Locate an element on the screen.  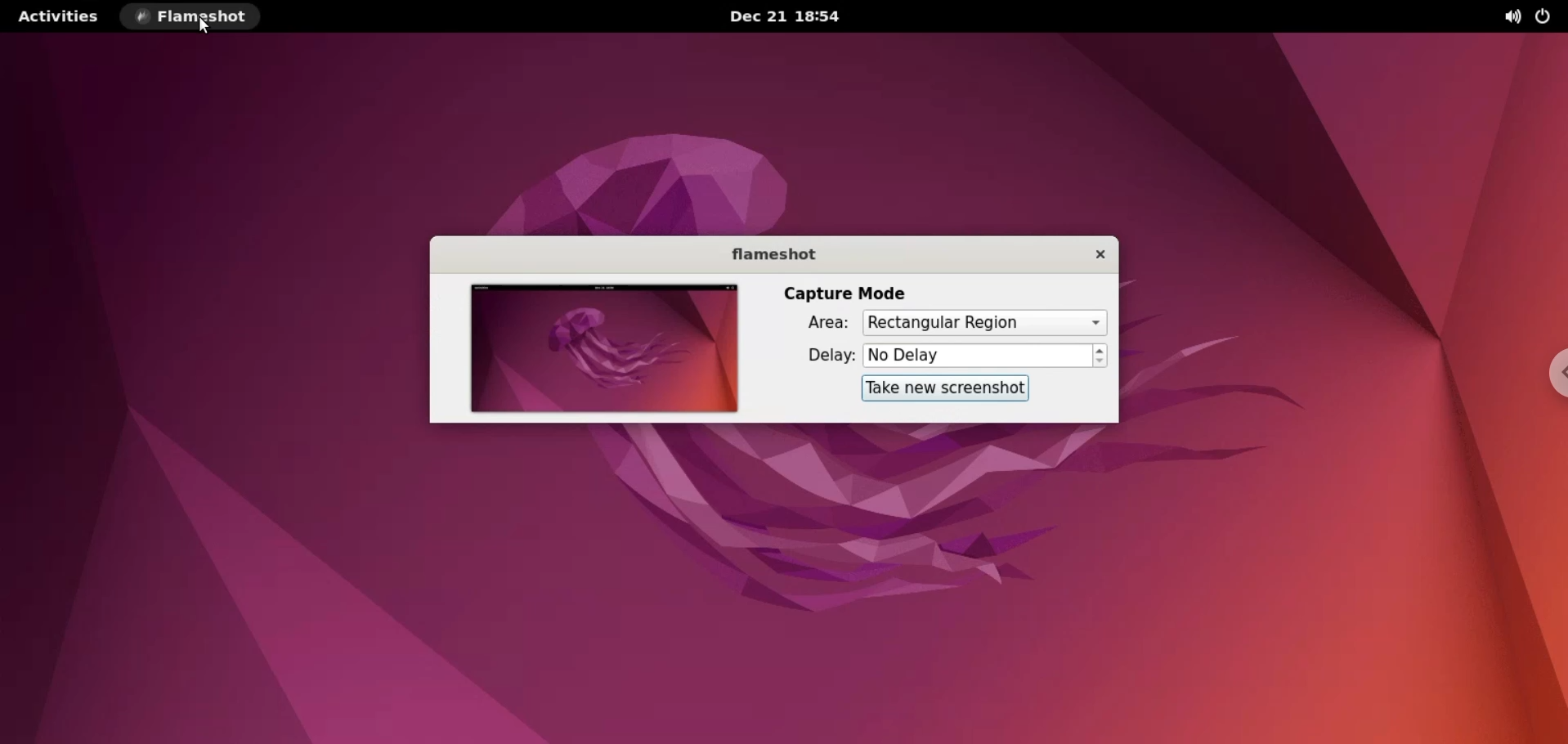
take new screenshot is located at coordinates (943, 388).